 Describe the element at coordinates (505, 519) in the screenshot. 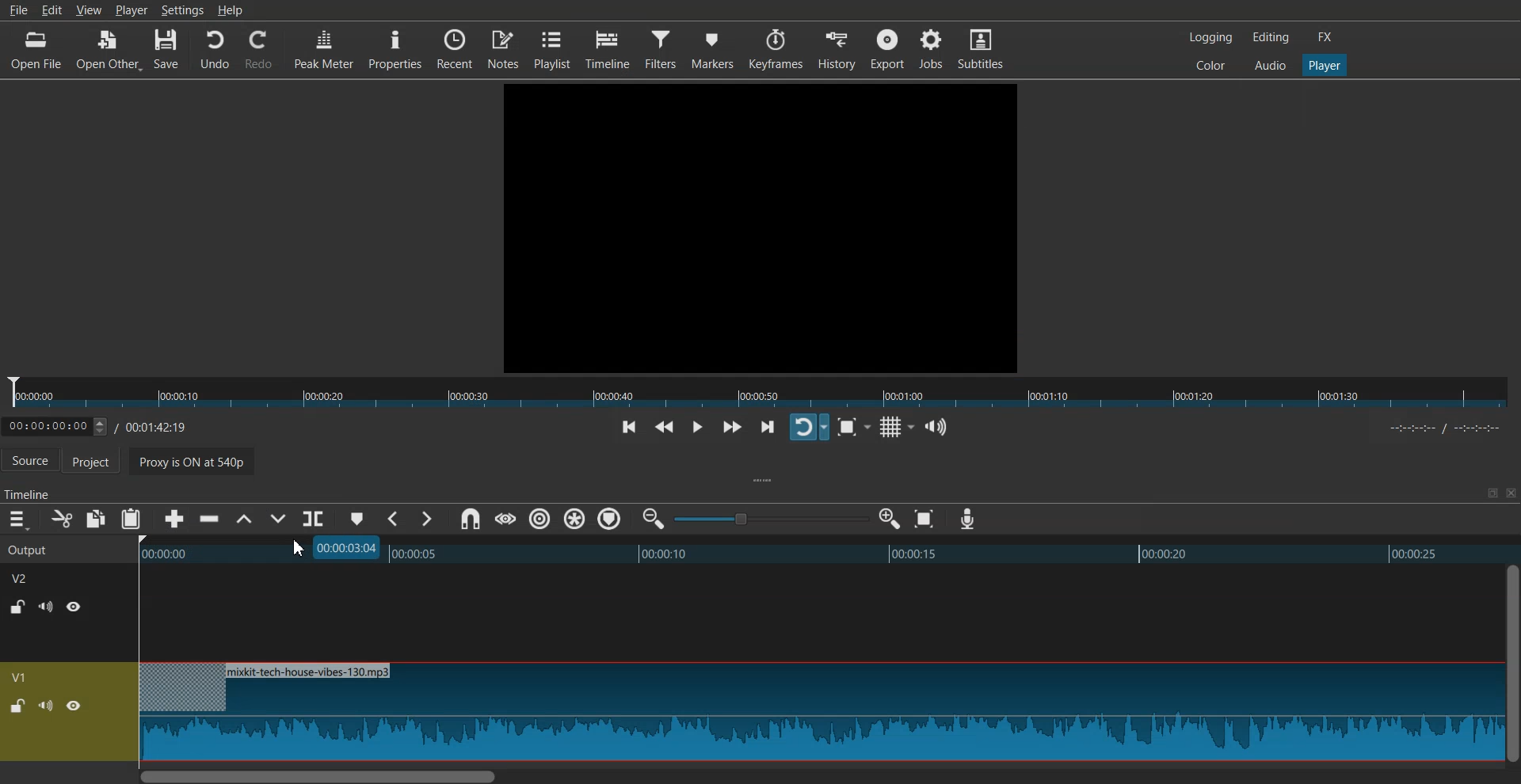

I see `Scrub while dragging` at that location.